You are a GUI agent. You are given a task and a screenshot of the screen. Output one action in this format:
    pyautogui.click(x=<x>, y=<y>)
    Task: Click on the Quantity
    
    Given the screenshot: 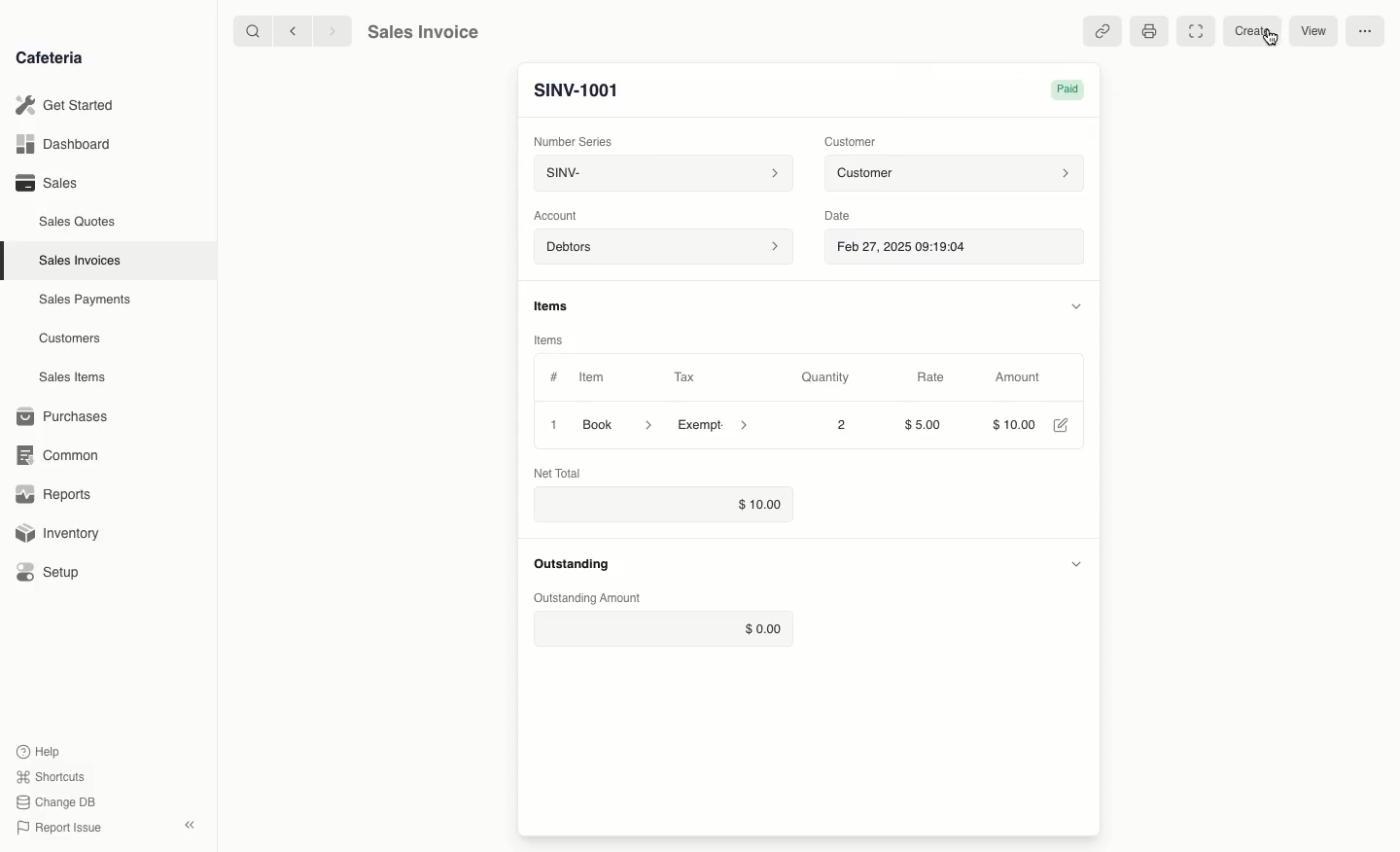 What is the action you would take?
    pyautogui.click(x=825, y=377)
    